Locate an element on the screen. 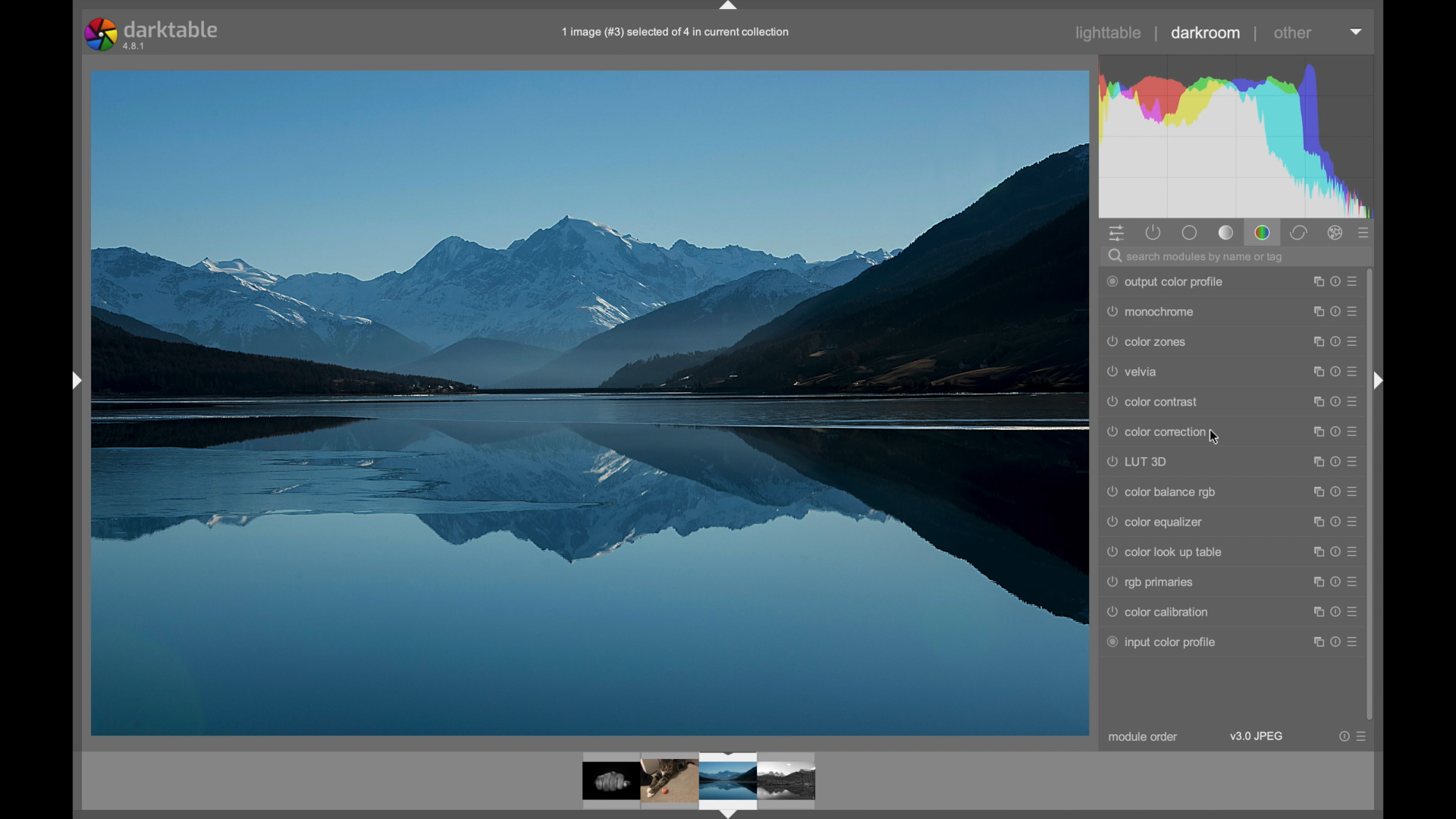 This screenshot has height=819, width=1456. darkroom is located at coordinates (1207, 33).